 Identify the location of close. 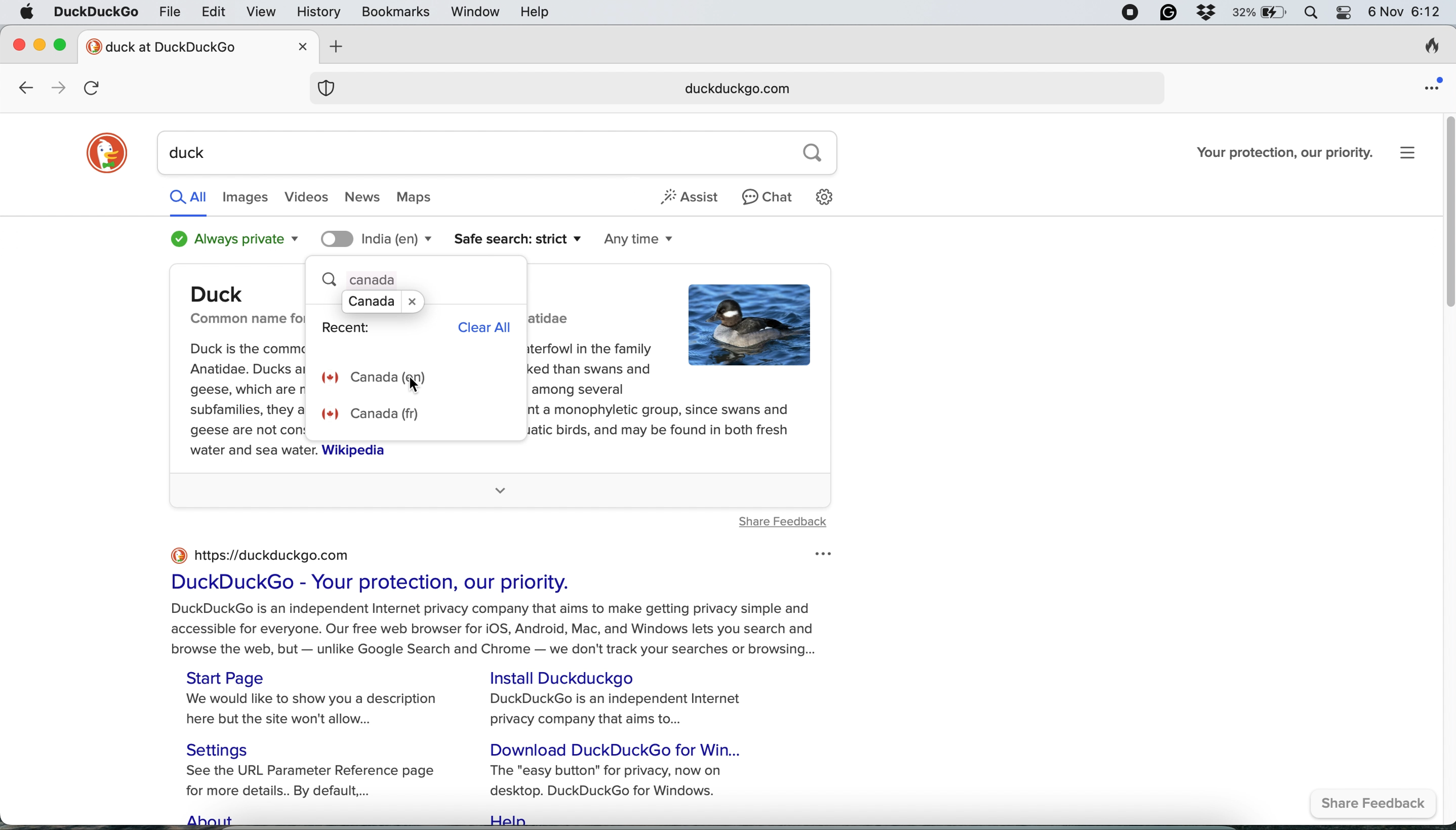
(19, 42).